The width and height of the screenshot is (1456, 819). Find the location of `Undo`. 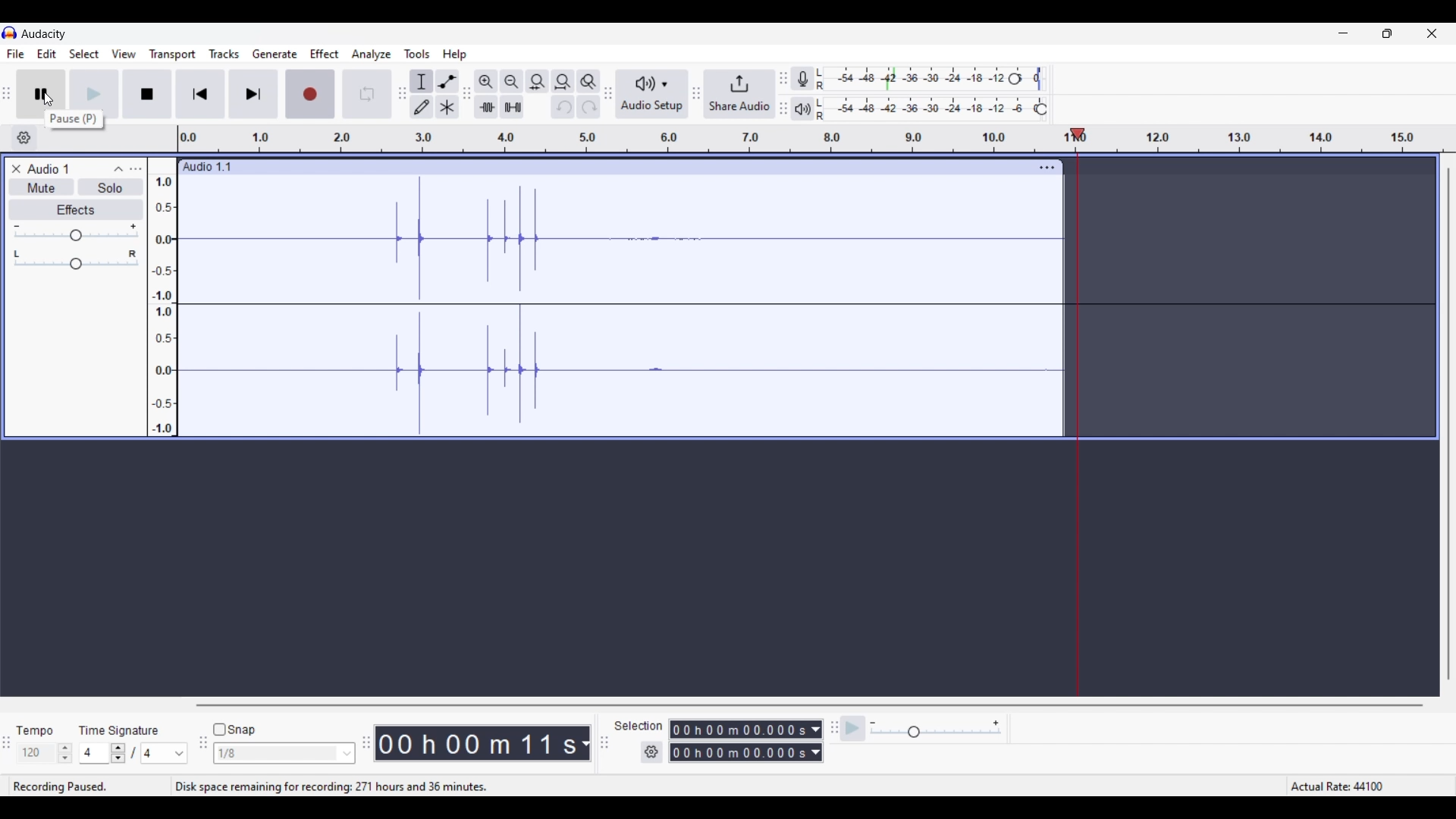

Undo is located at coordinates (563, 106).